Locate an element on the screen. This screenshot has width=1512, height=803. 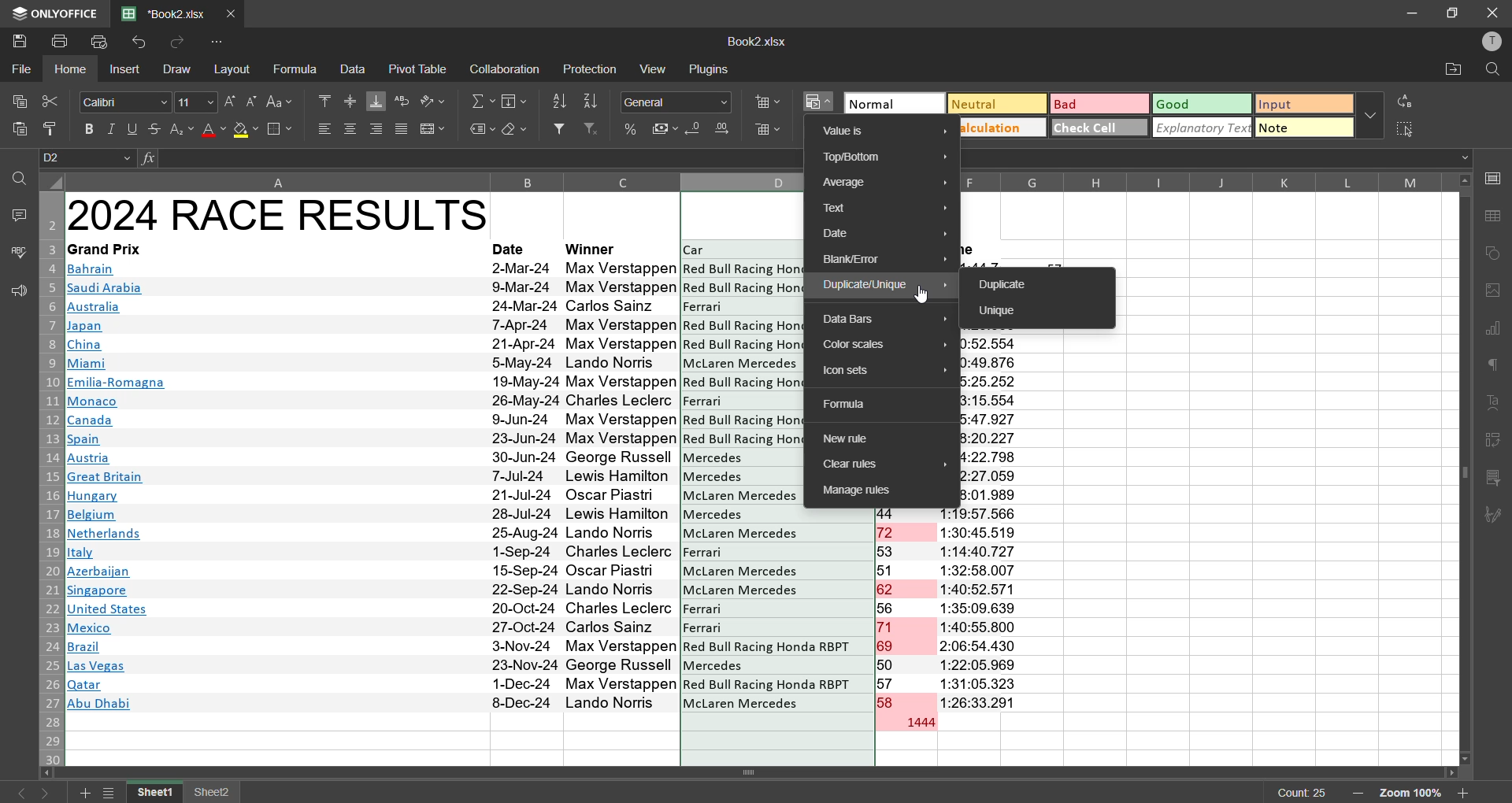
collaboration is located at coordinates (502, 70).